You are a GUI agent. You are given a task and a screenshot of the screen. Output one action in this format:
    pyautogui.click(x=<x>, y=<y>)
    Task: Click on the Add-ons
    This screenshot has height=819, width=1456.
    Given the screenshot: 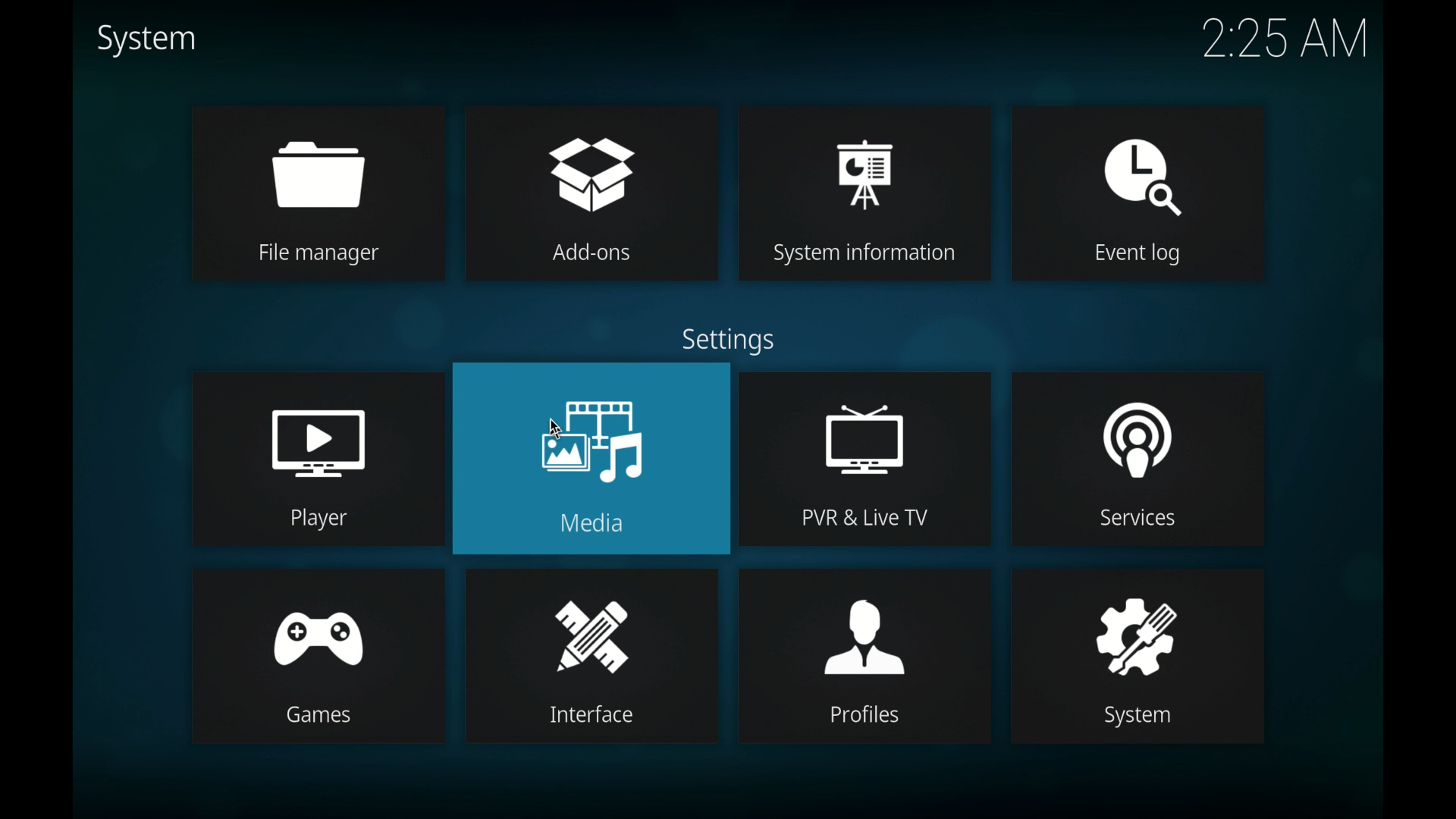 What is the action you would take?
    pyautogui.click(x=586, y=254)
    